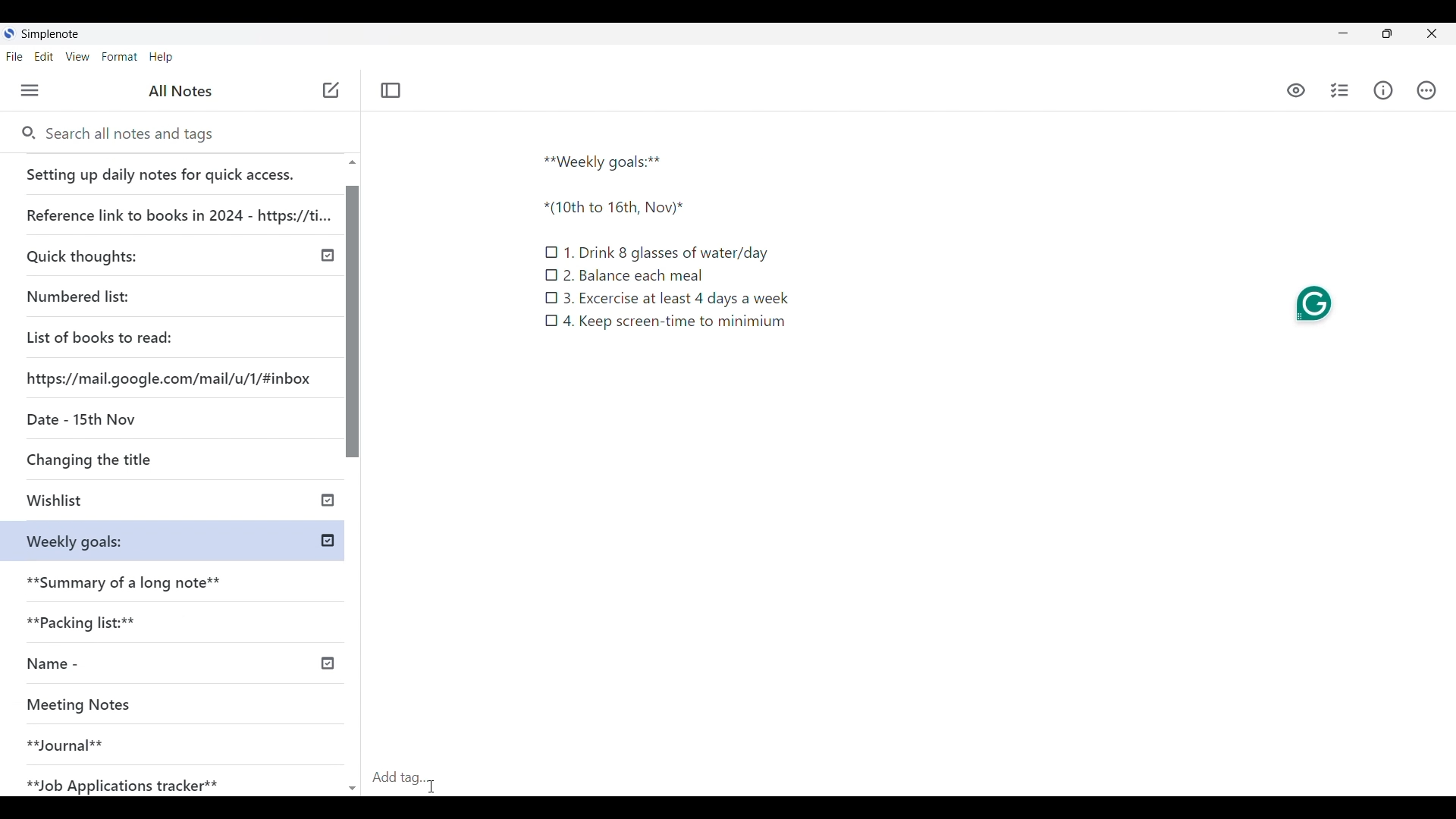 The width and height of the screenshot is (1456, 819). What do you see at coordinates (1432, 33) in the screenshot?
I see `Close ` at bounding box center [1432, 33].